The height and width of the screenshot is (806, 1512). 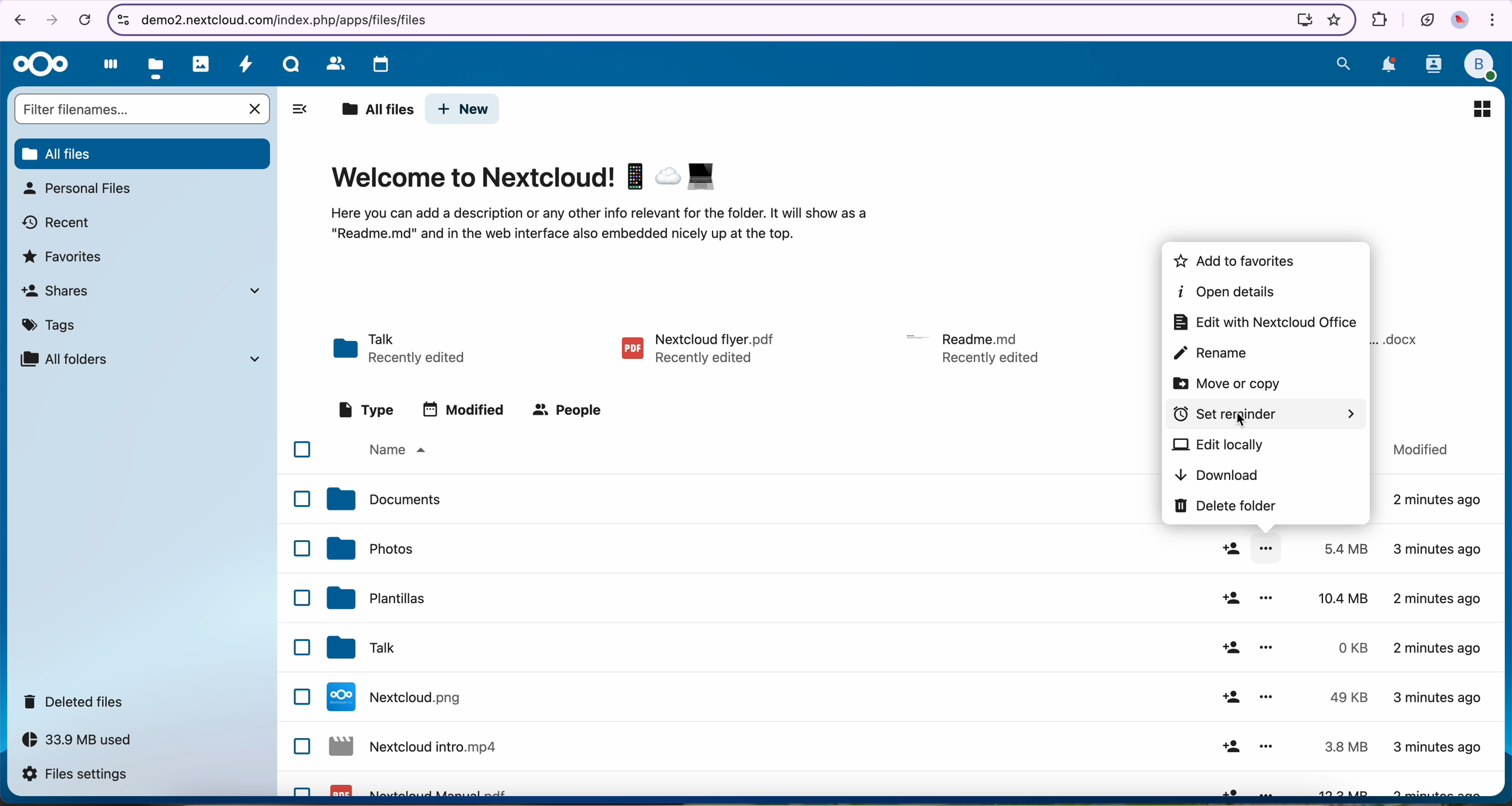 What do you see at coordinates (1437, 699) in the screenshot?
I see `3 minutes ago` at bounding box center [1437, 699].